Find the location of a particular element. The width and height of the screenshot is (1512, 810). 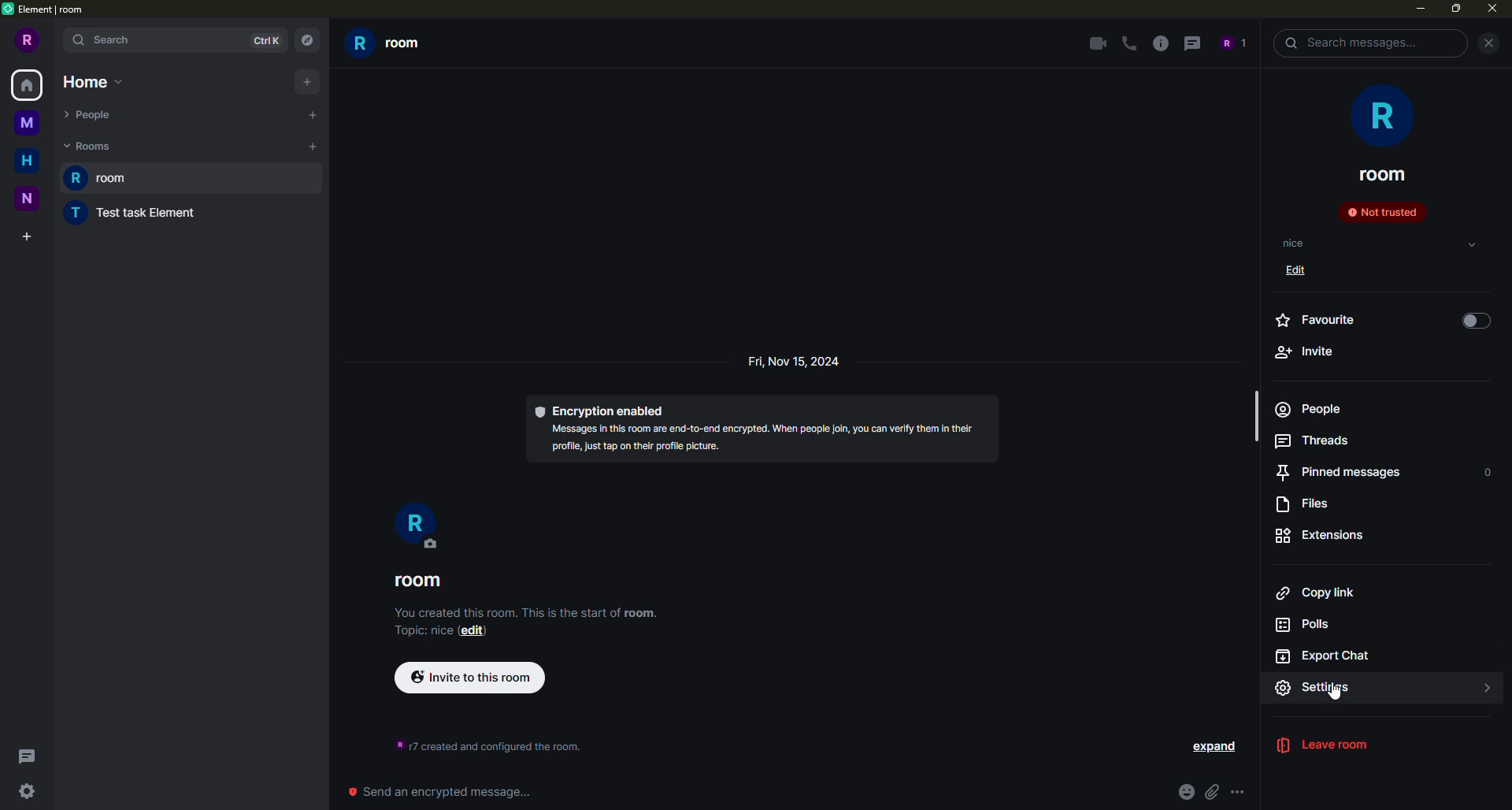

M is located at coordinates (29, 126).